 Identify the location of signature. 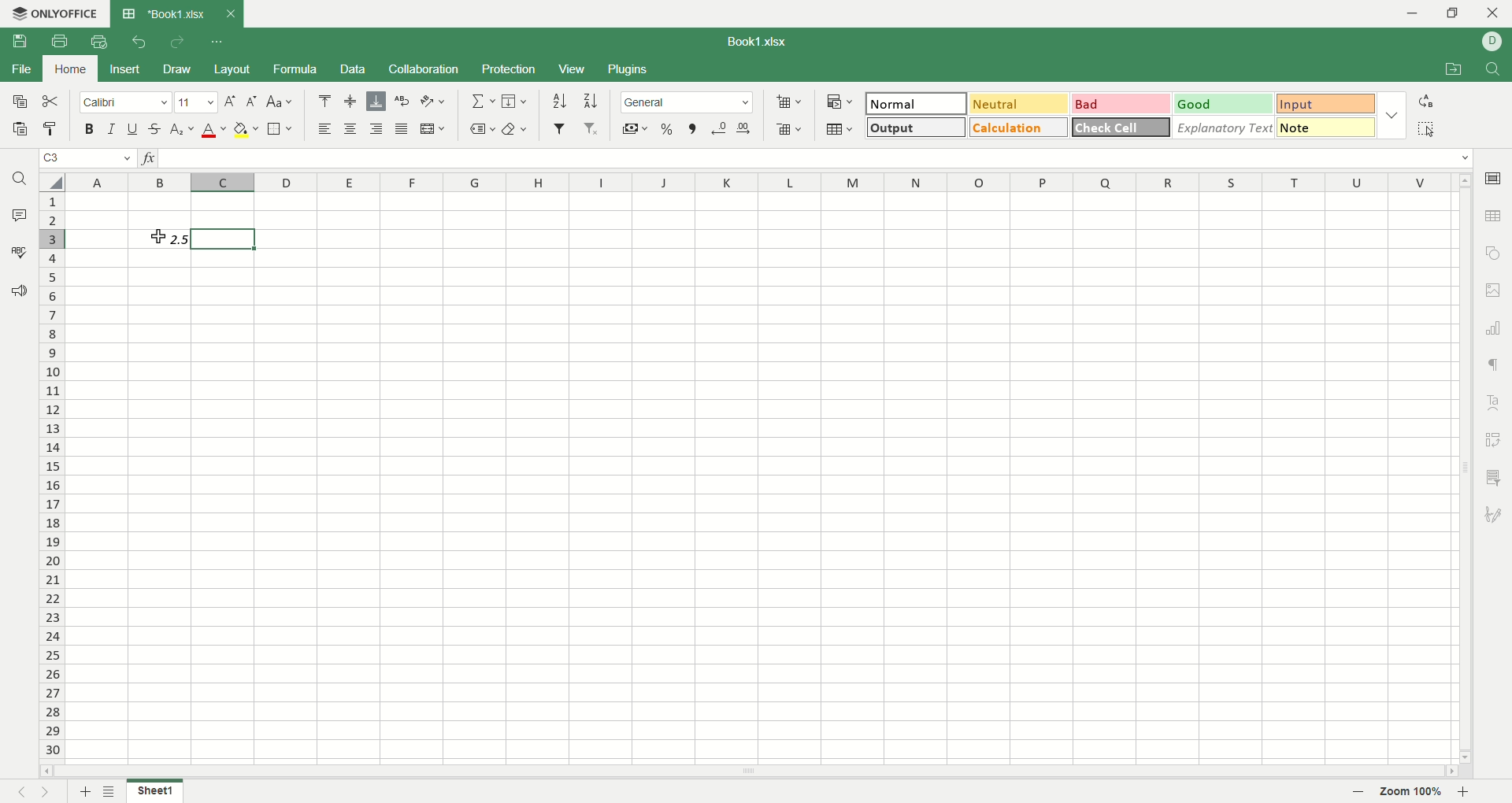
(1496, 512).